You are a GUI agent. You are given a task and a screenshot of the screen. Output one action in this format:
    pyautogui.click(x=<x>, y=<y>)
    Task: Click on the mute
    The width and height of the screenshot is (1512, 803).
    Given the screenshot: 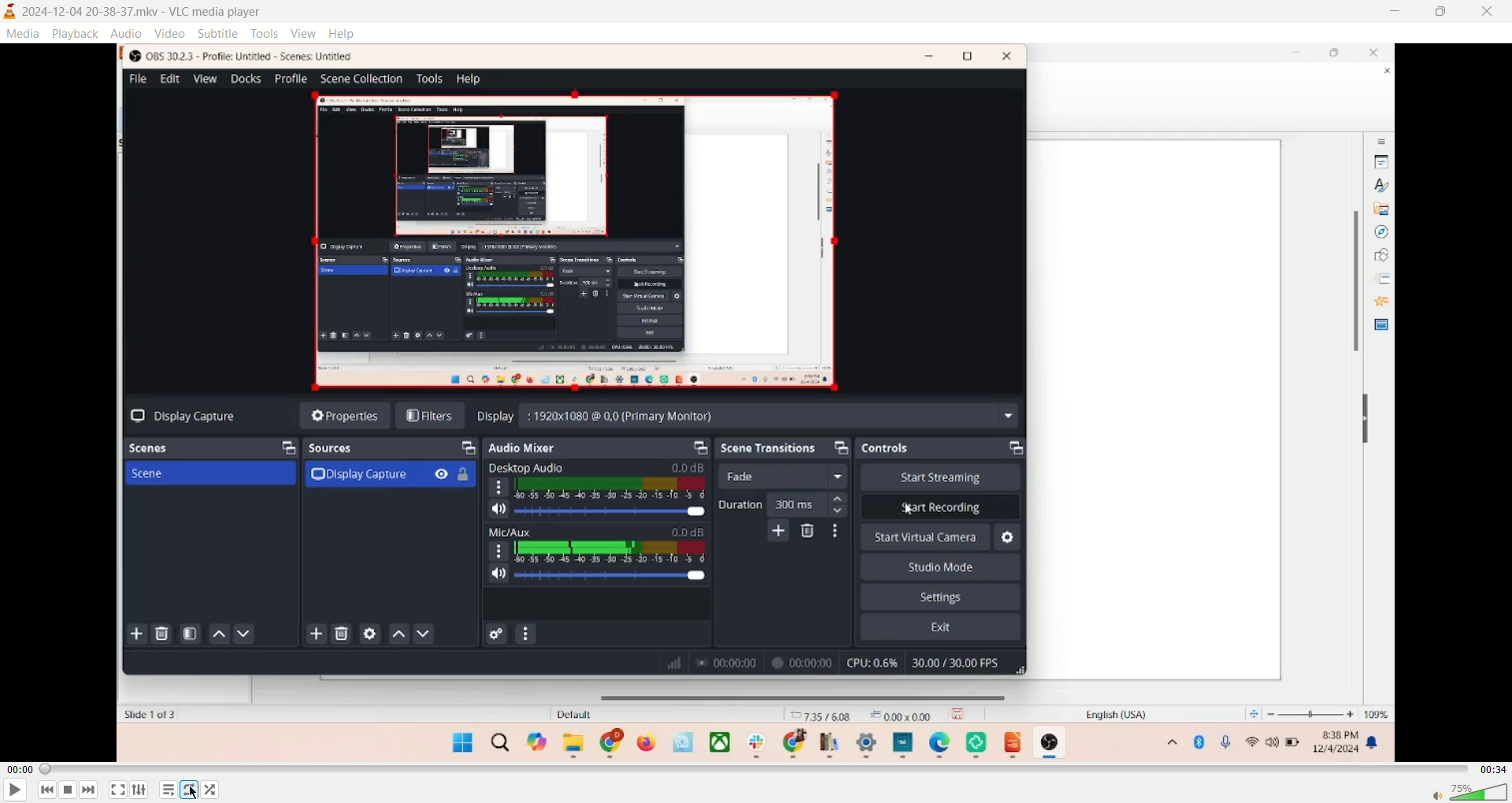 What is the action you would take?
    pyautogui.click(x=1435, y=797)
    